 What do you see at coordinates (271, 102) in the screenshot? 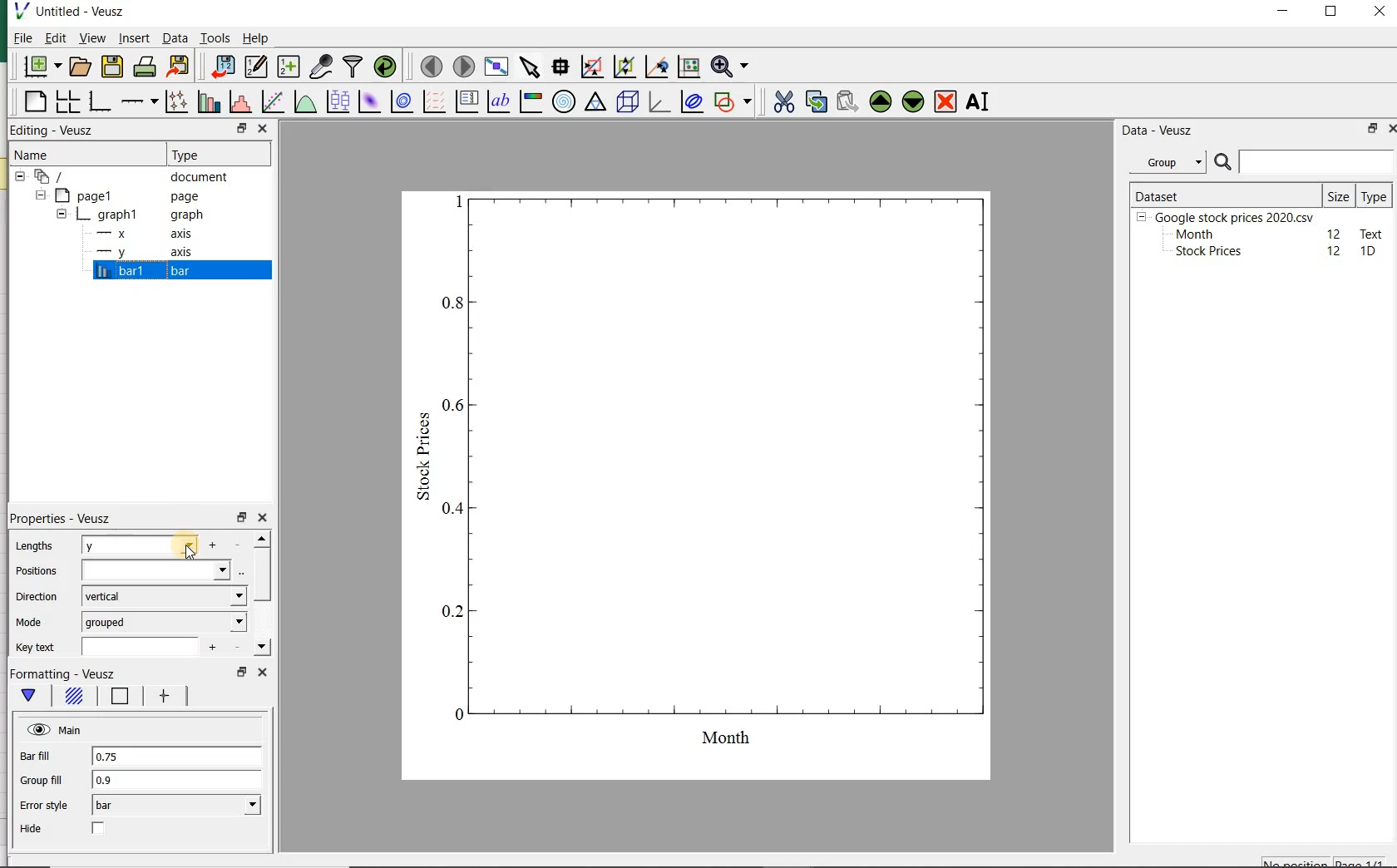
I see `fit a function to data` at bounding box center [271, 102].